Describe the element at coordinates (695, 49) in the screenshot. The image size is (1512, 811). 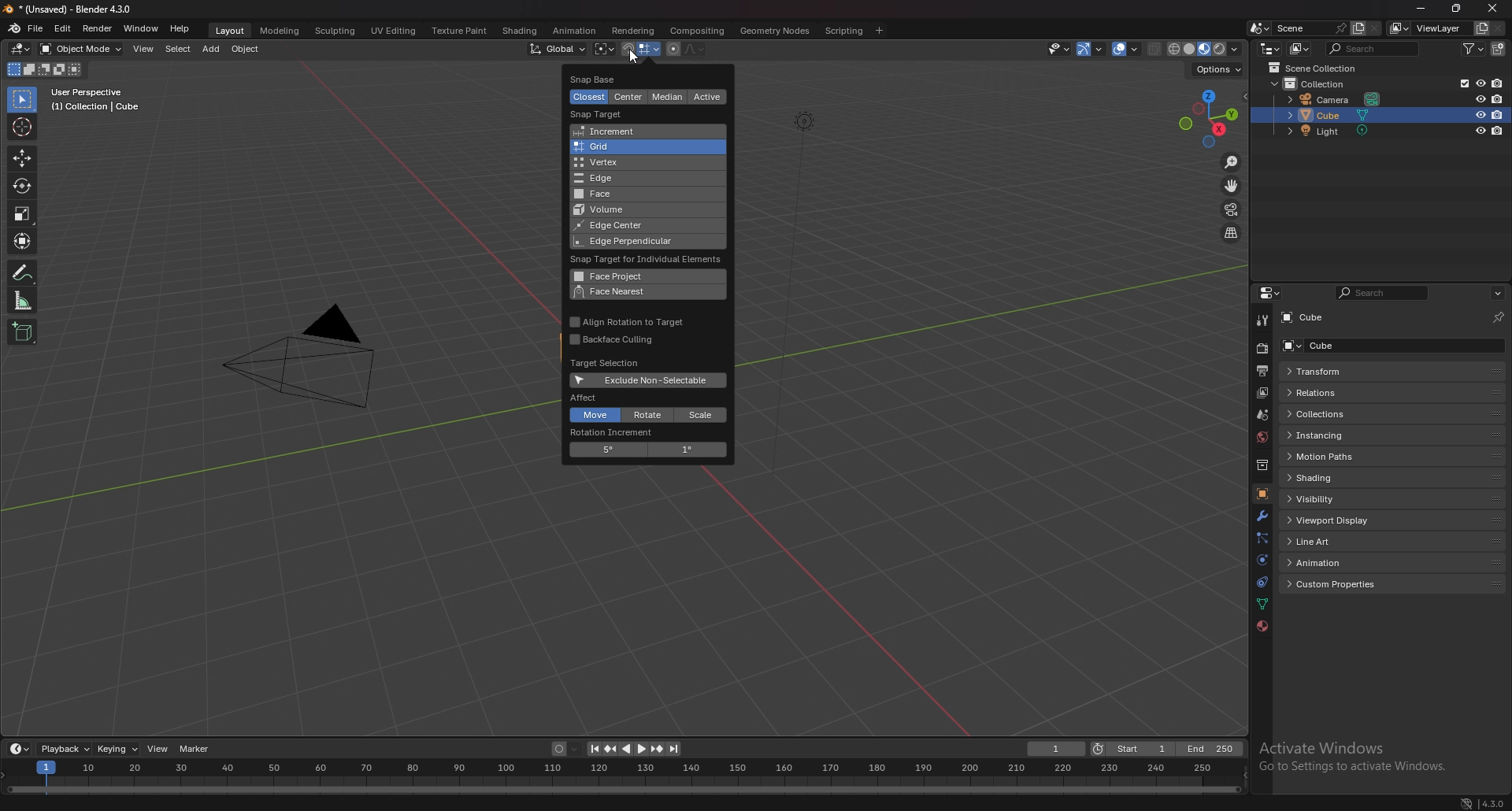
I see `proportional editing fall off` at that location.